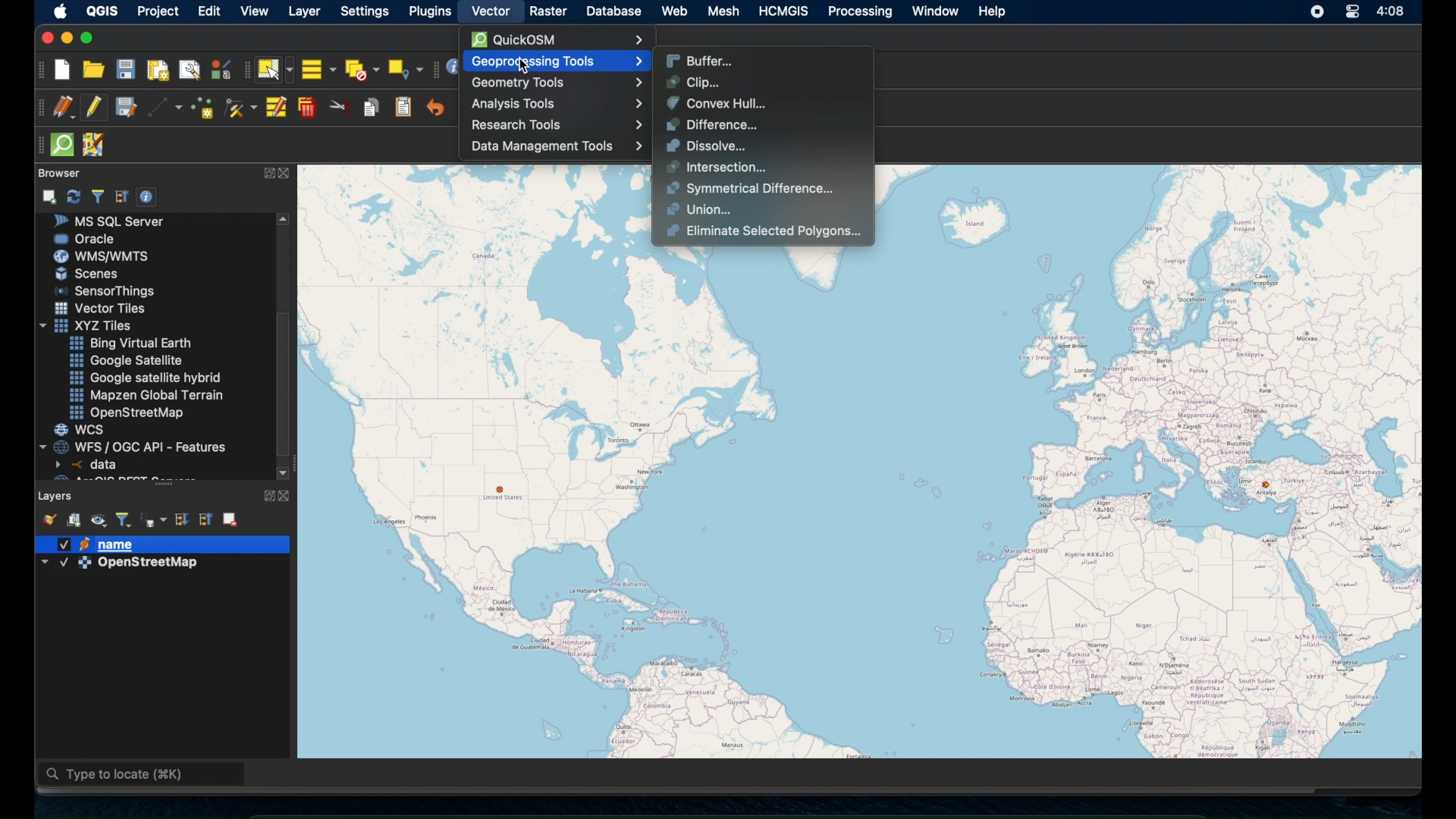 The height and width of the screenshot is (819, 1456). I want to click on Symmetrical Difference..., so click(749, 188).